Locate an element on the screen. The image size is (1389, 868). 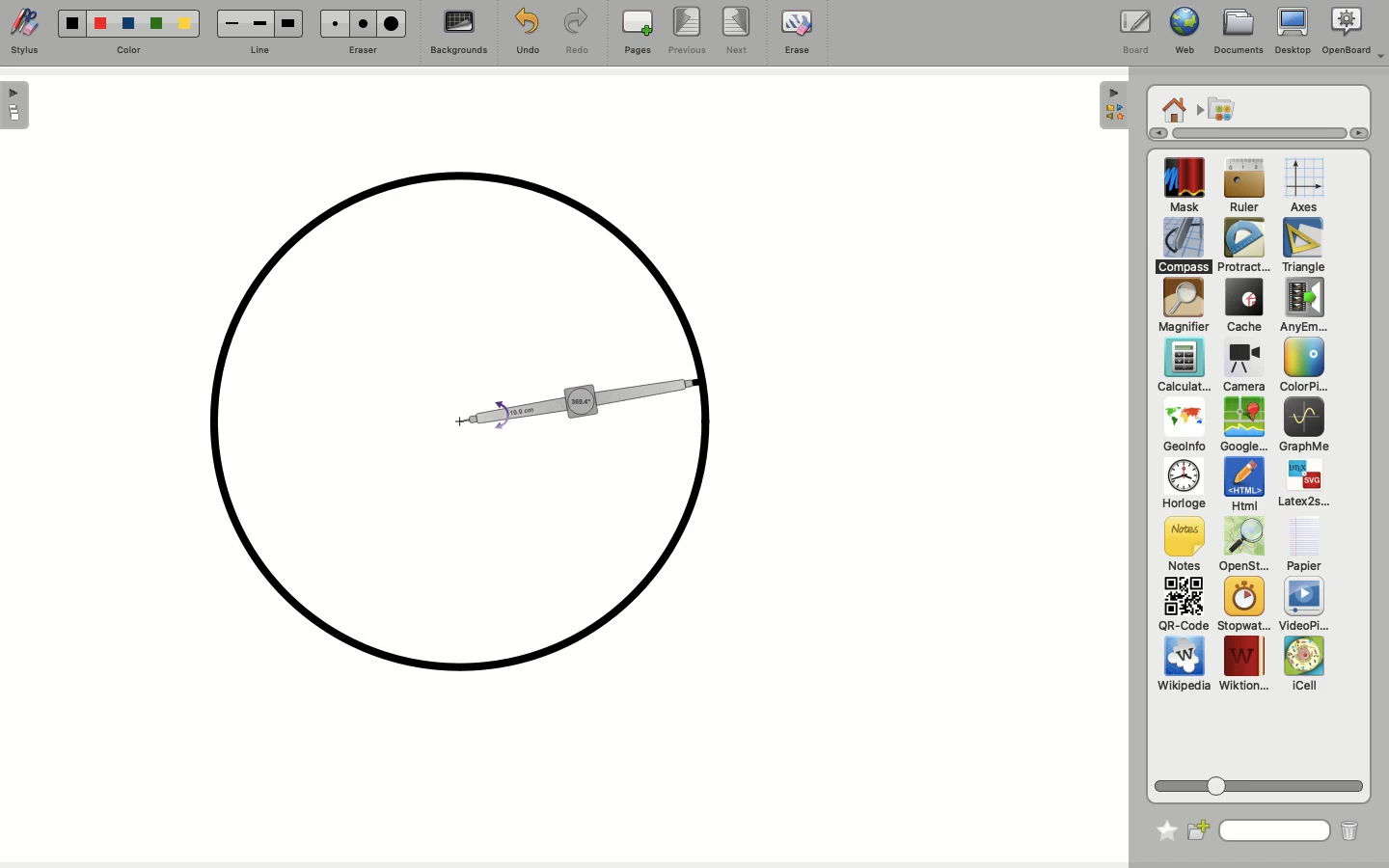
VideoPlayer is located at coordinates (1304, 605).